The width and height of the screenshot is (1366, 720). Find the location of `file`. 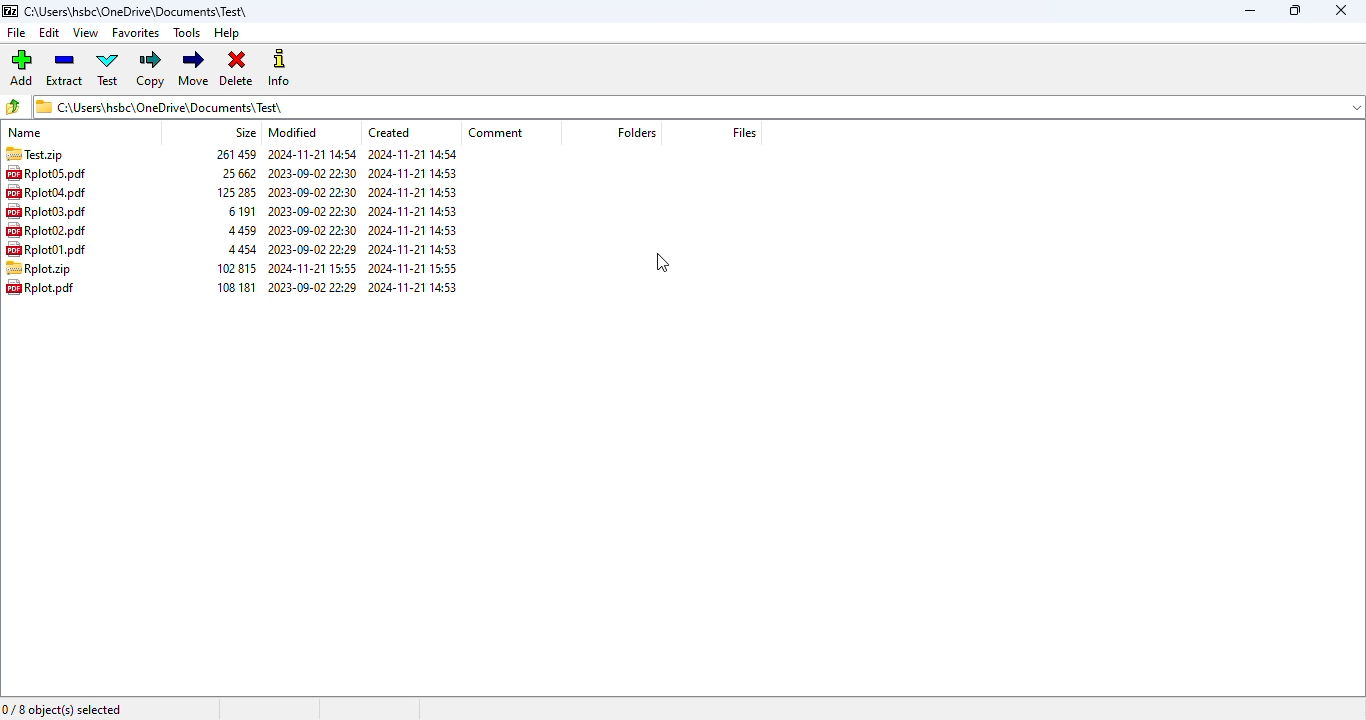

file is located at coordinates (18, 33).